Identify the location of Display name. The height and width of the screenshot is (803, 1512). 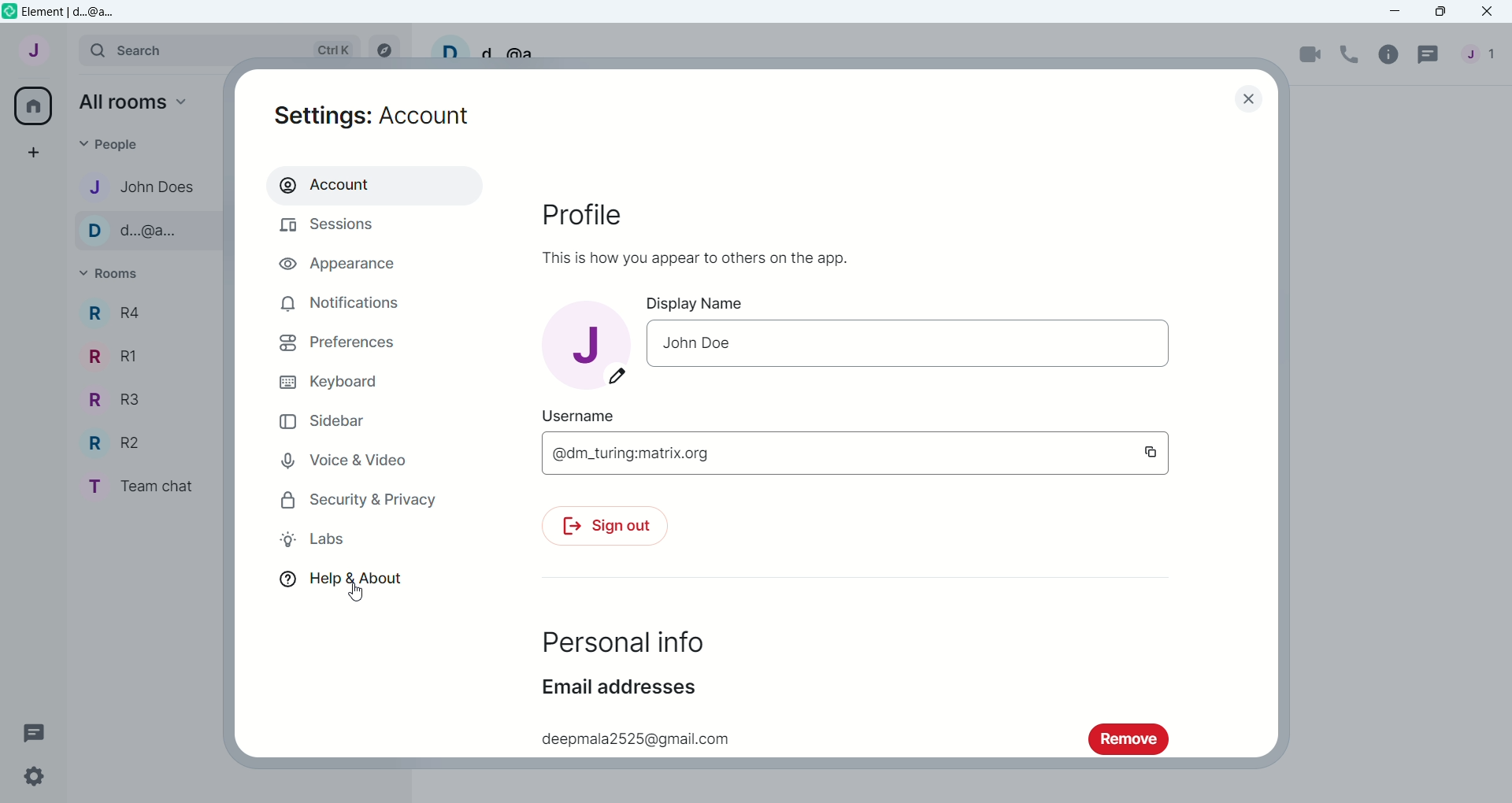
(703, 303).